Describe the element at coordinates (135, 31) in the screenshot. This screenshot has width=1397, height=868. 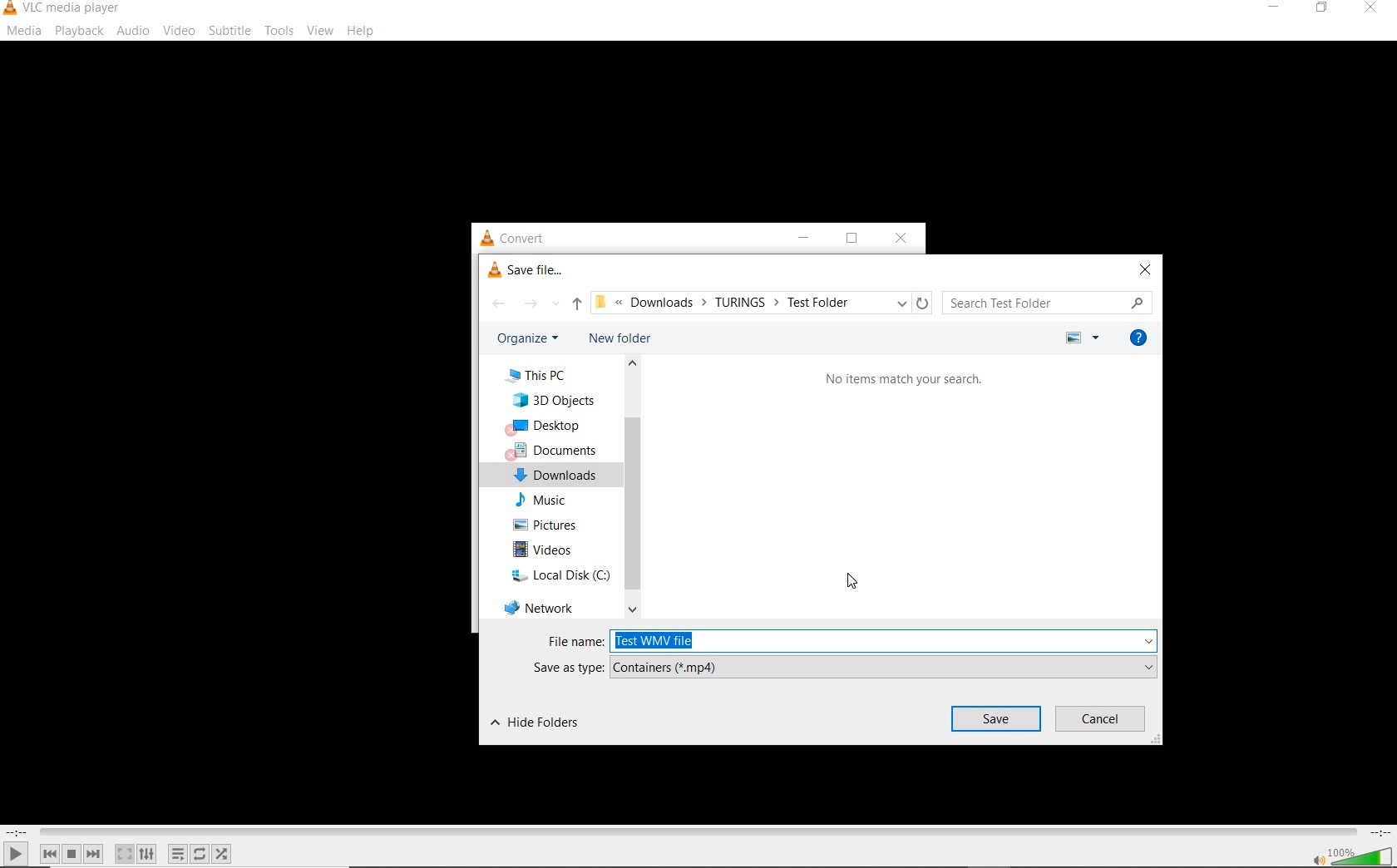
I see `audio` at that location.